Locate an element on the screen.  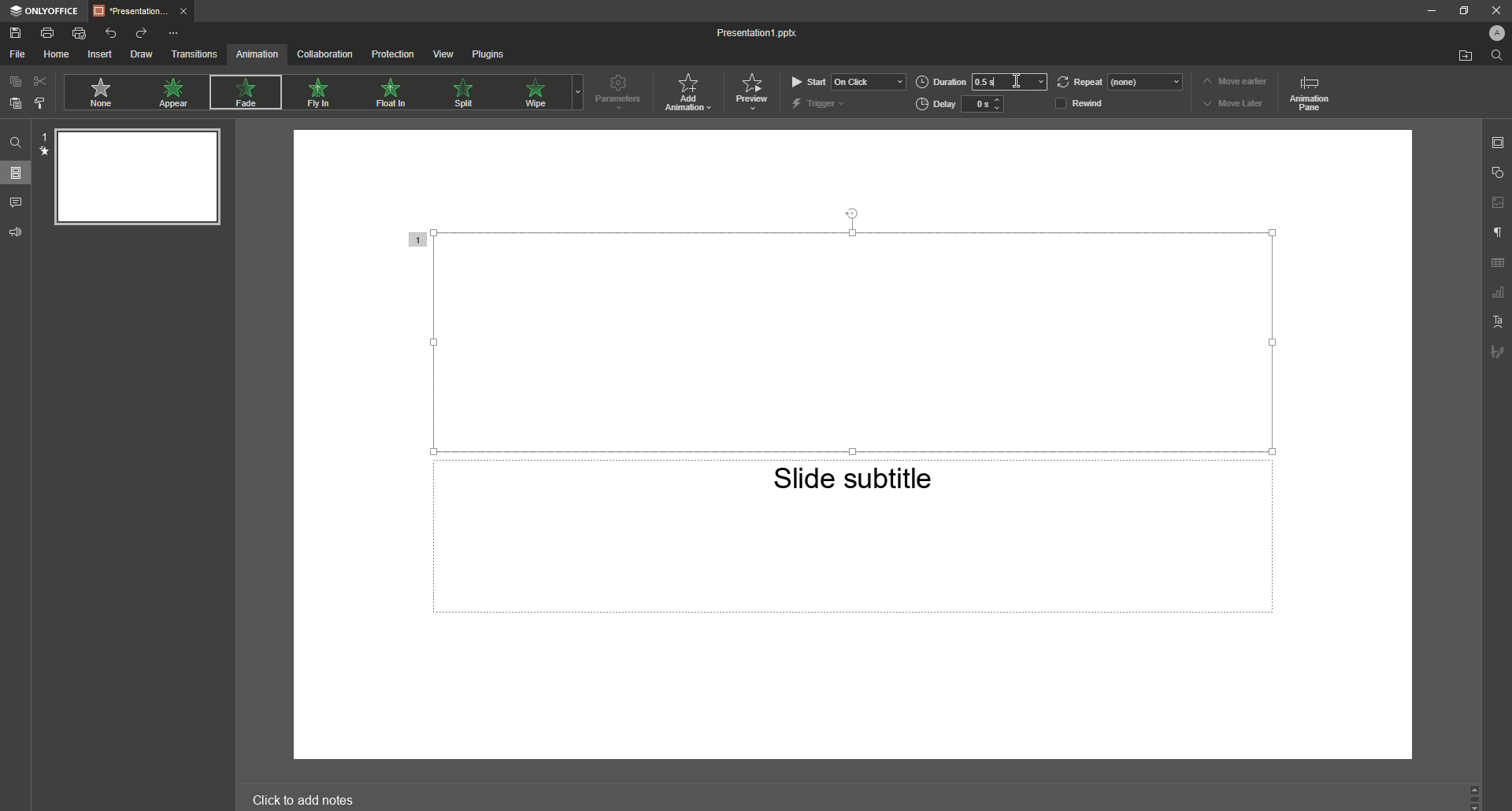
Animation is located at coordinates (258, 55).